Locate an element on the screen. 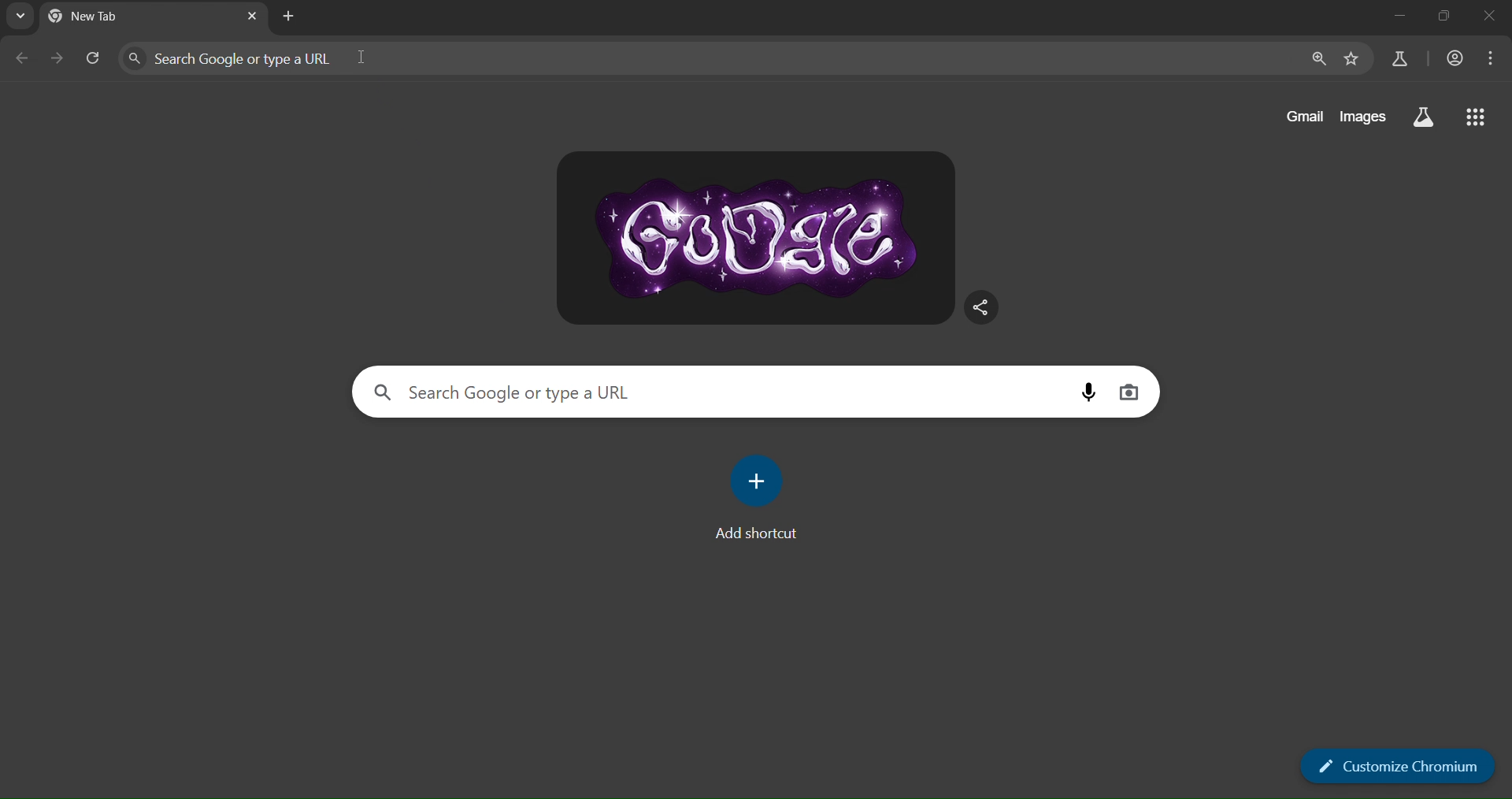 The height and width of the screenshot is (799, 1512). search tabs is located at coordinates (18, 18).